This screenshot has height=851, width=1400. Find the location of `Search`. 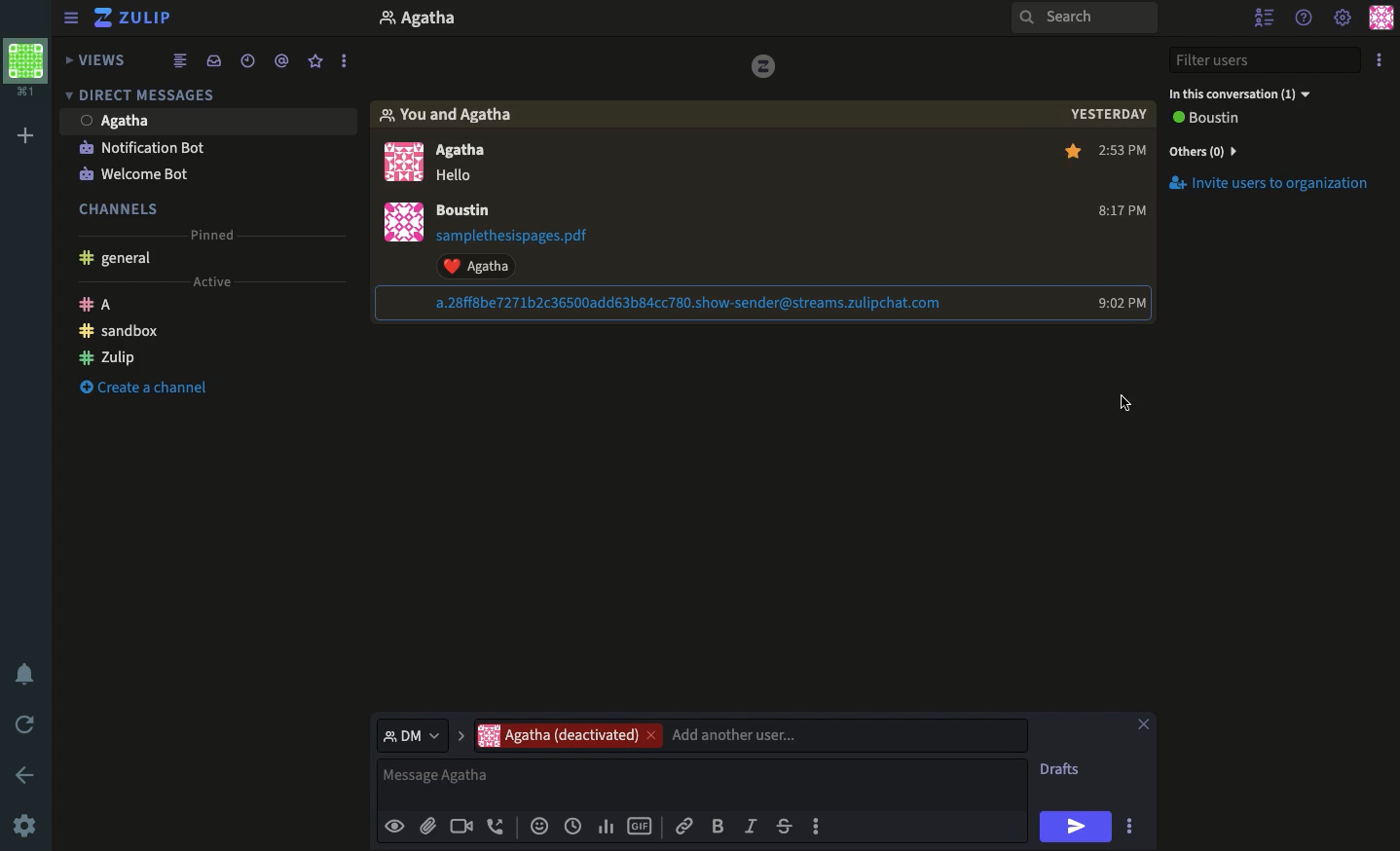

Search is located at coordinates (1082, 19).